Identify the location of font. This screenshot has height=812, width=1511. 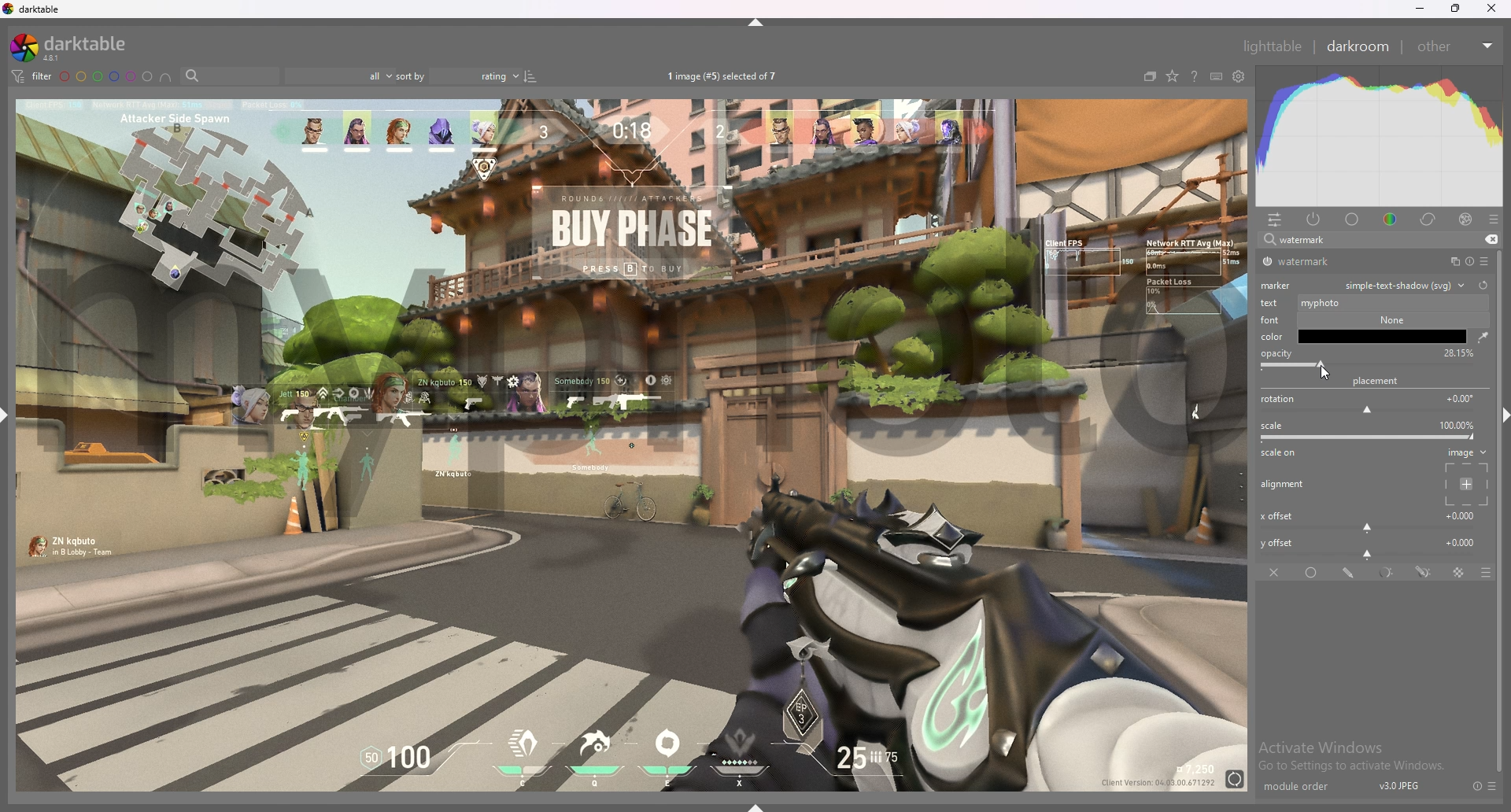
(1268, 319).